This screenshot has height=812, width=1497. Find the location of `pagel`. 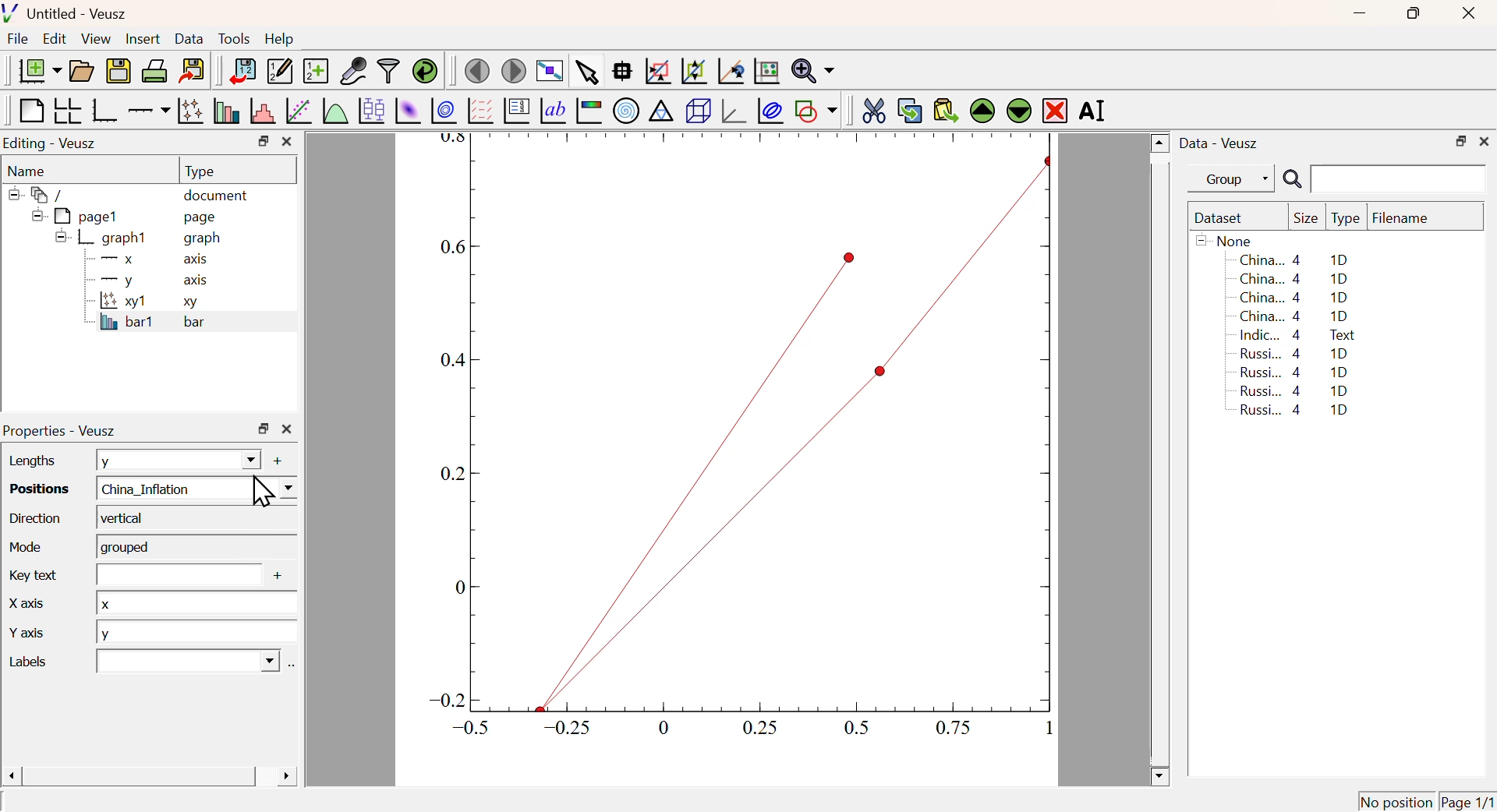

pagel is located at coordinates (71, 217).